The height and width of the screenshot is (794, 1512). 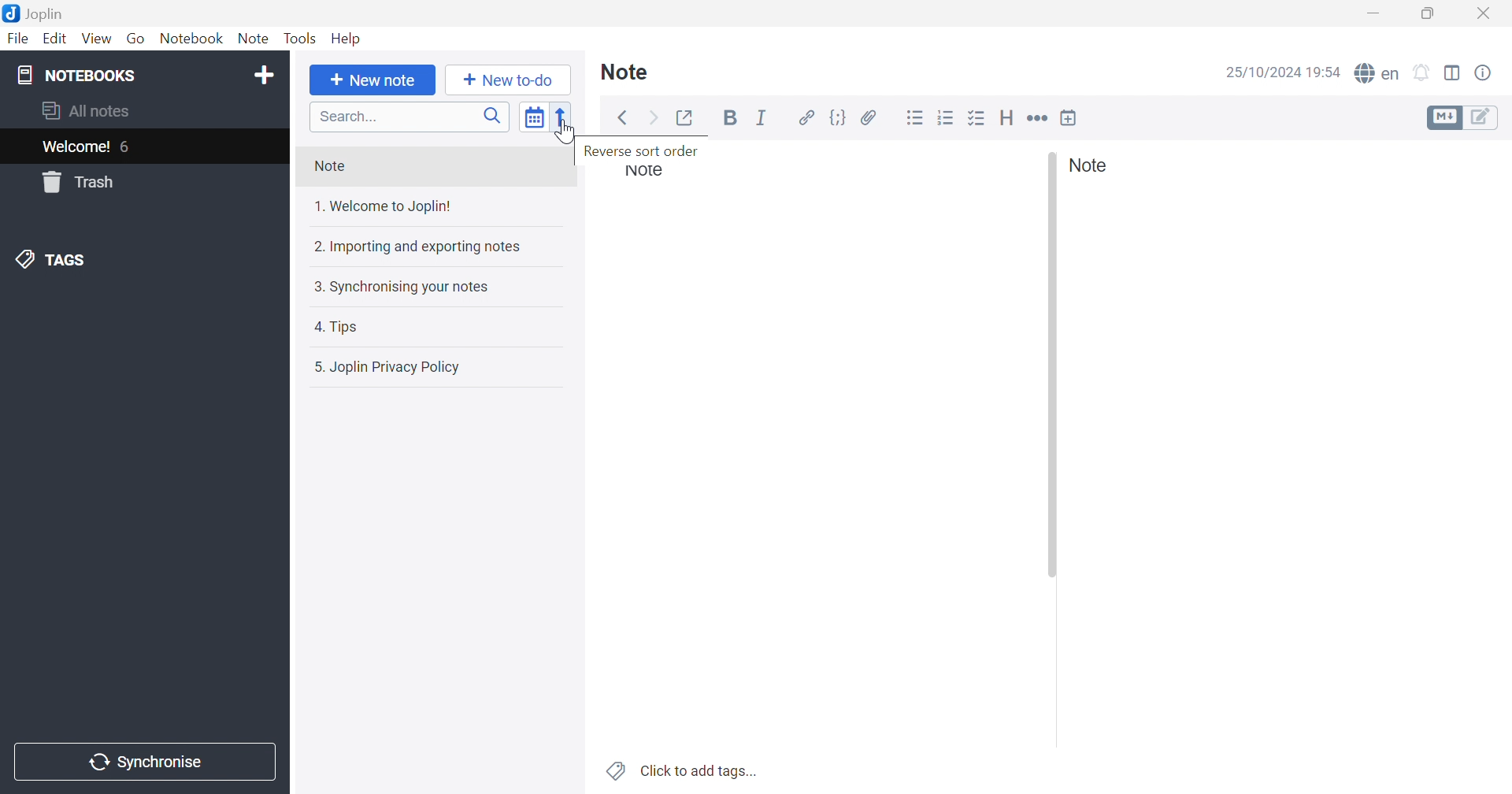 I want to click on Back, so click(x=624, y=118).